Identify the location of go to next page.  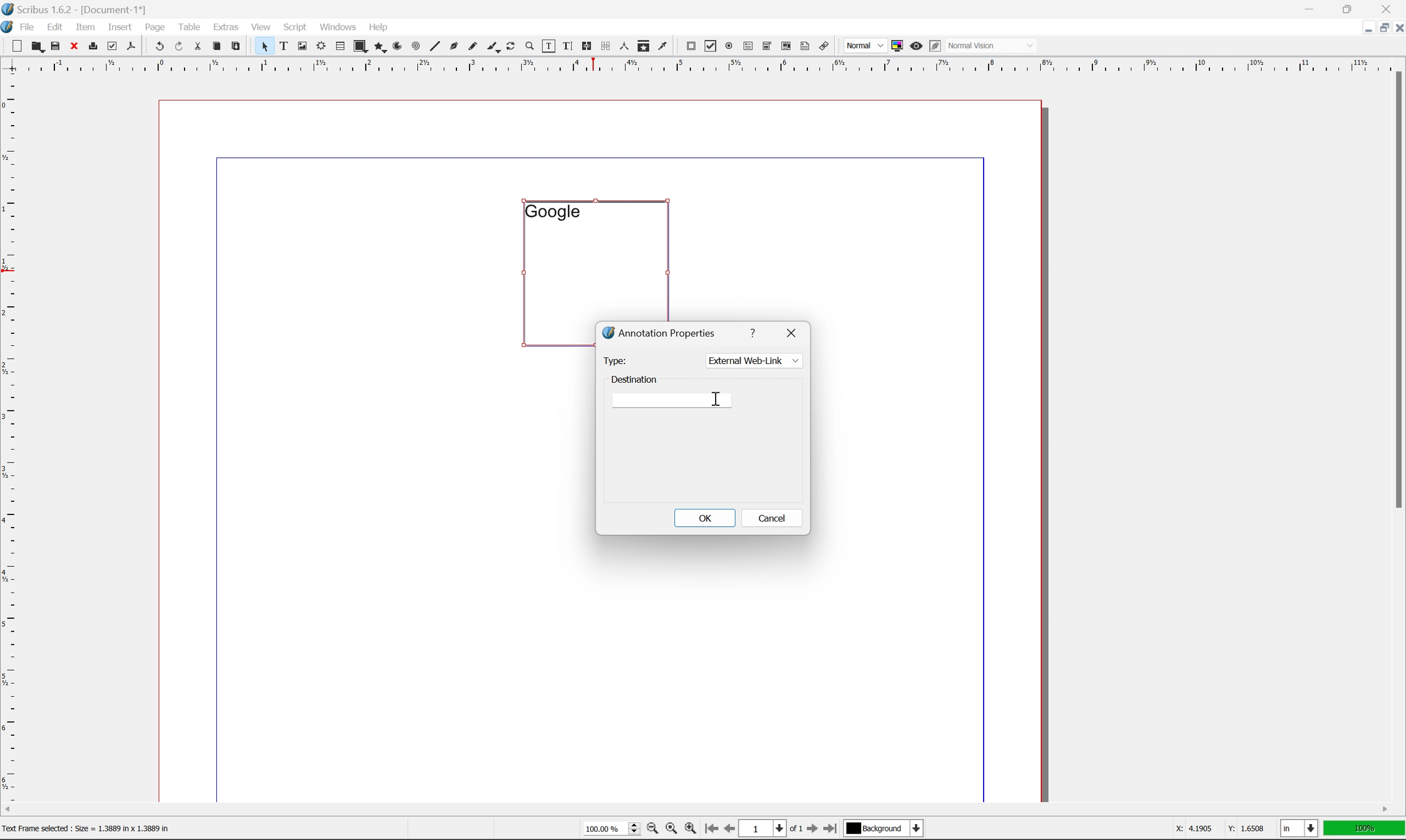
(809, 830).